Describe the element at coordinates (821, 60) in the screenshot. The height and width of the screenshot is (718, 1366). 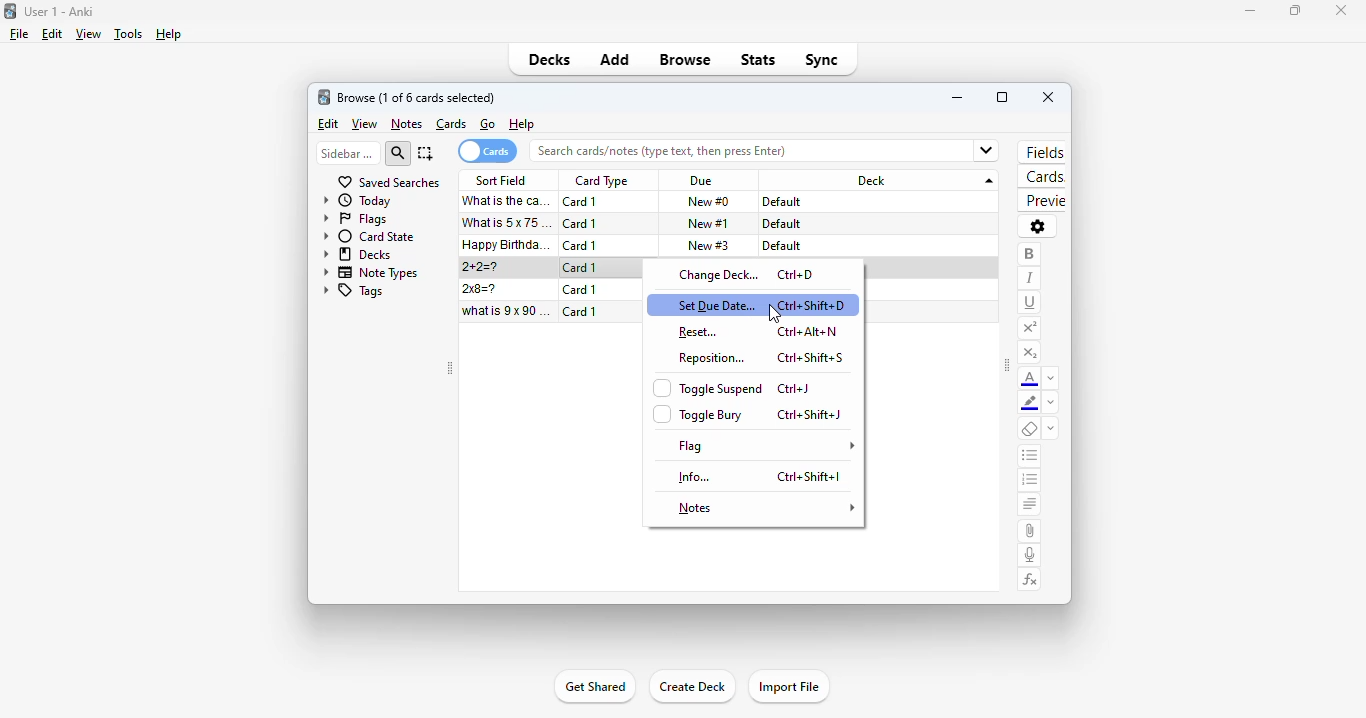
I see `sync` at that location.